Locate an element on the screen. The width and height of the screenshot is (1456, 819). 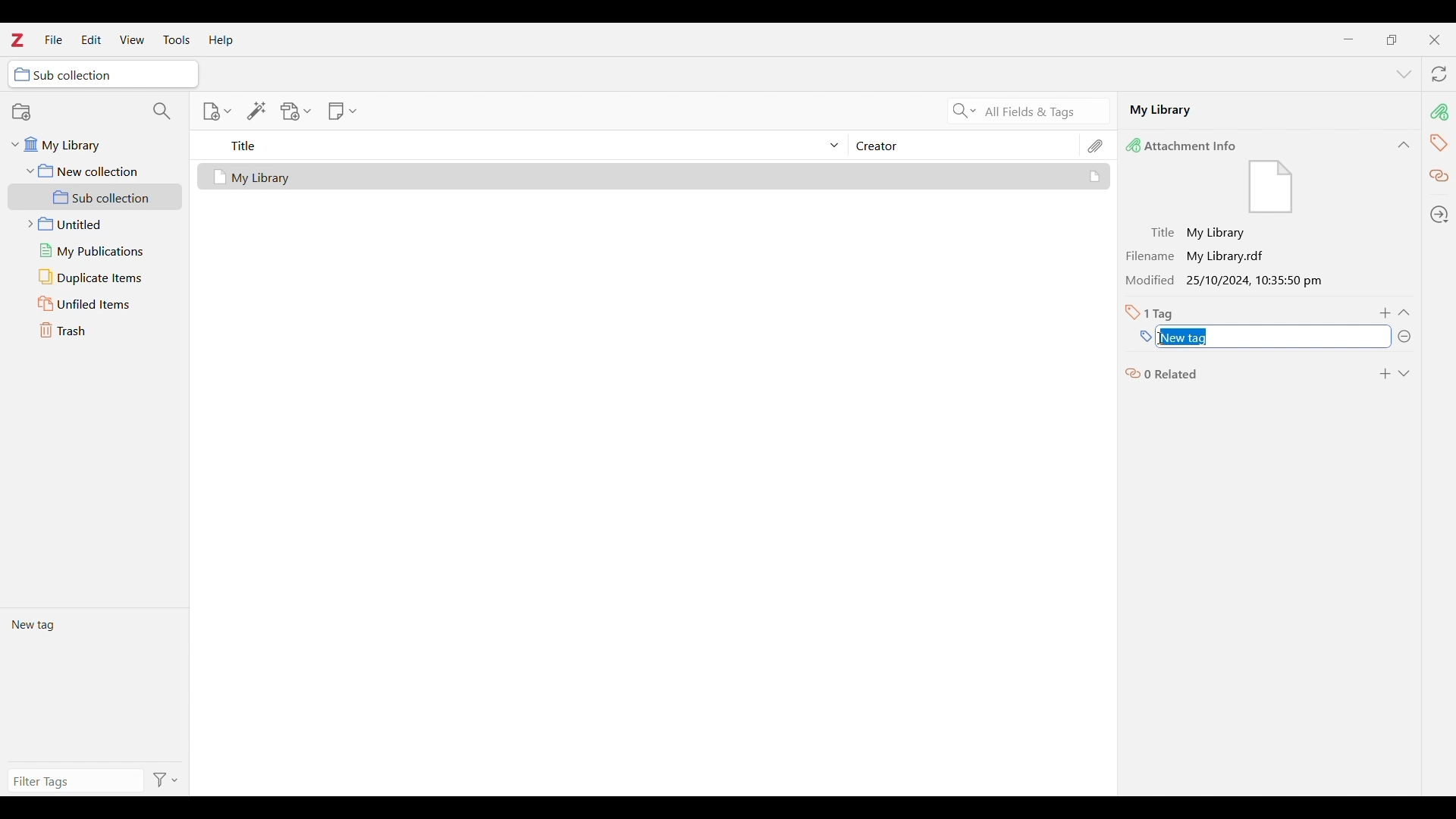
tag is located at coordinates (1439, 142).